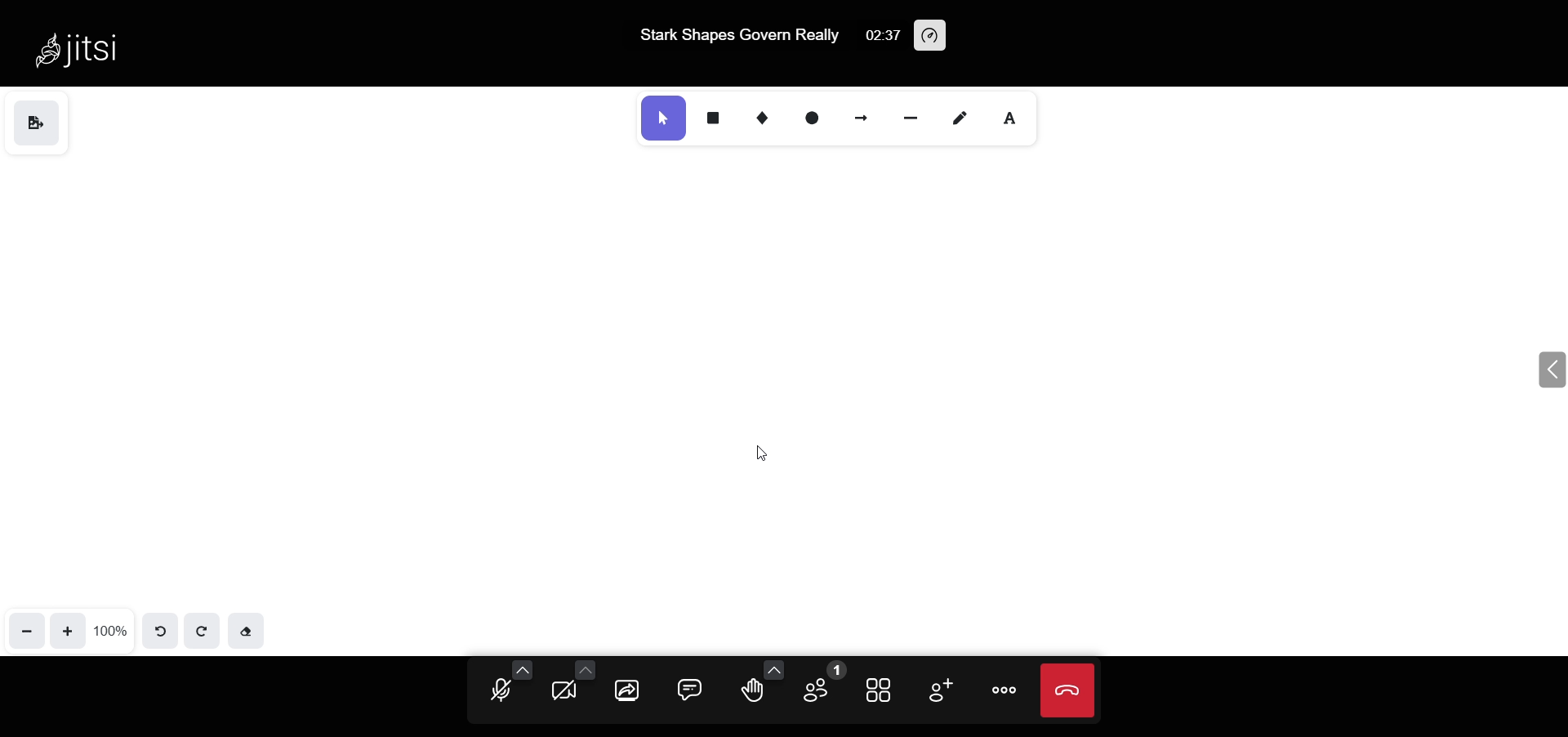 Image resolution: width=1568 pixels, height=737 pixels. I want to click on eraser, so click(246, 629).